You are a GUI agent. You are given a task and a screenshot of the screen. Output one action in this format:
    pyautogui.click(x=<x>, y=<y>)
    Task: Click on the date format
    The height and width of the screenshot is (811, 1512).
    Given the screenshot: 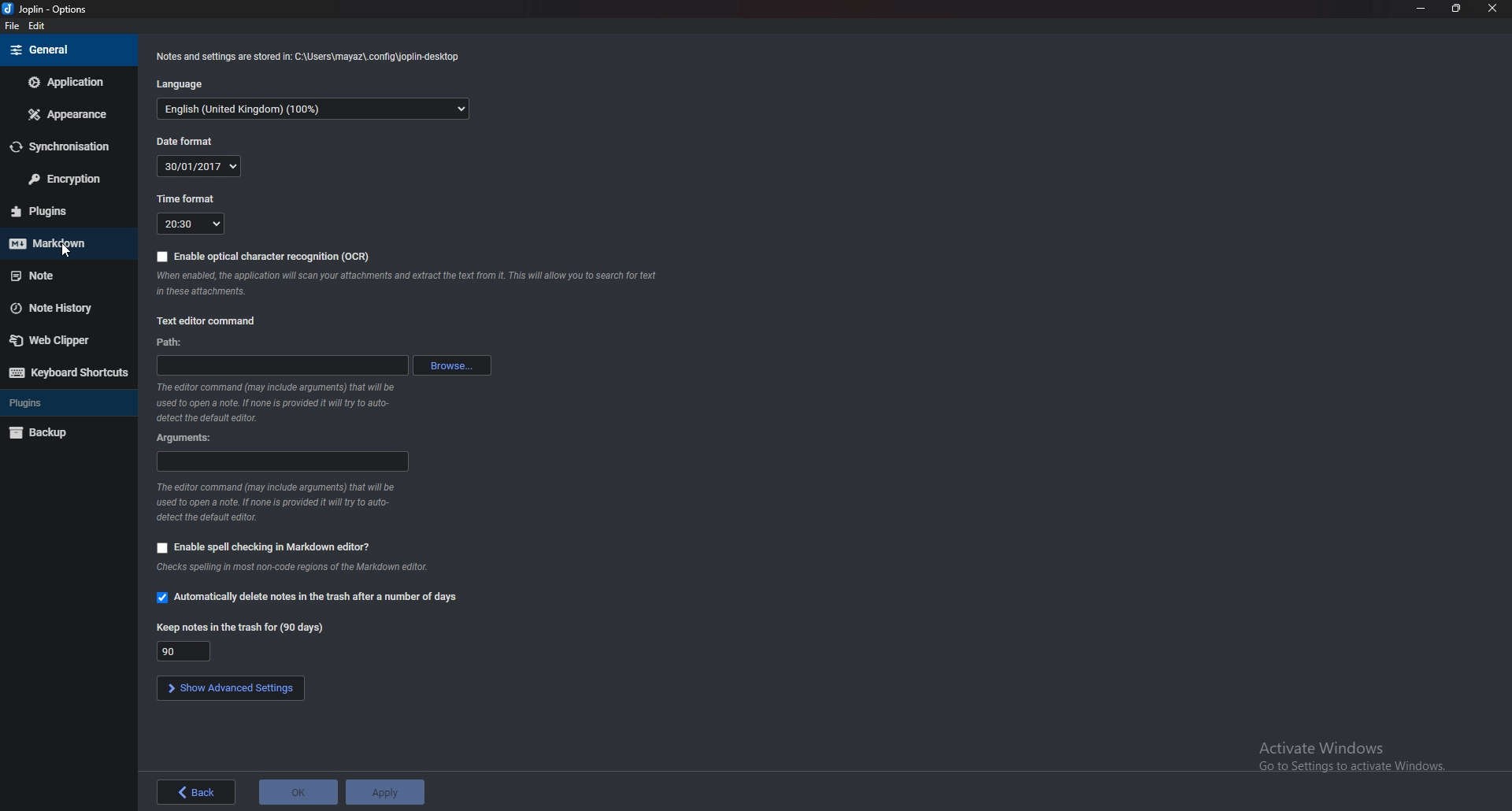 What is the action you would take?
    pyautogui.click(x=199, y=166)
    